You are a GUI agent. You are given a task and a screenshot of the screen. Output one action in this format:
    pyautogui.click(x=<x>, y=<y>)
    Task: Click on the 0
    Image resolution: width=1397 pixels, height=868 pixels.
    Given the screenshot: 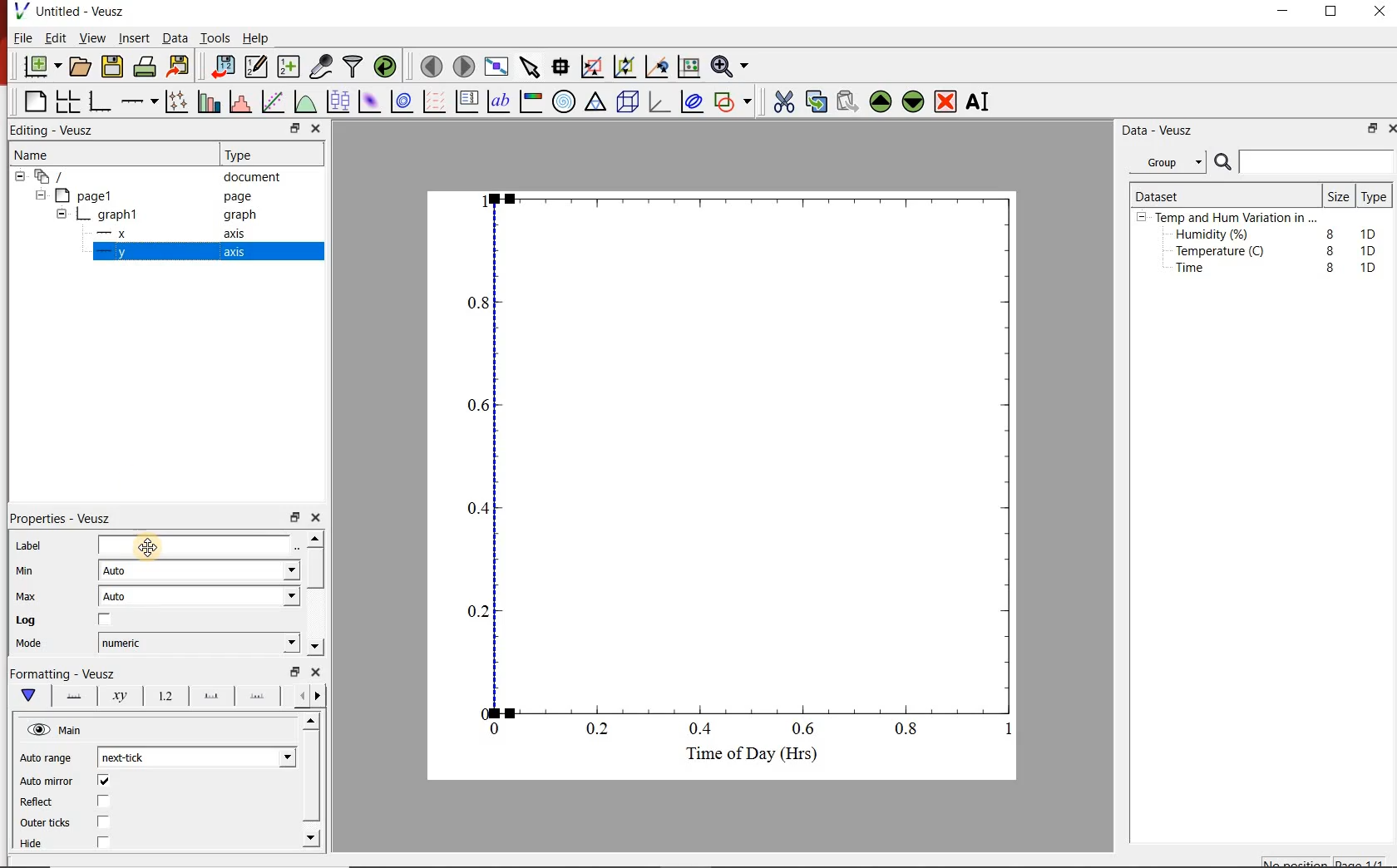 What is the action you would take?
    pyautogui.click(x=496, y=728)
    